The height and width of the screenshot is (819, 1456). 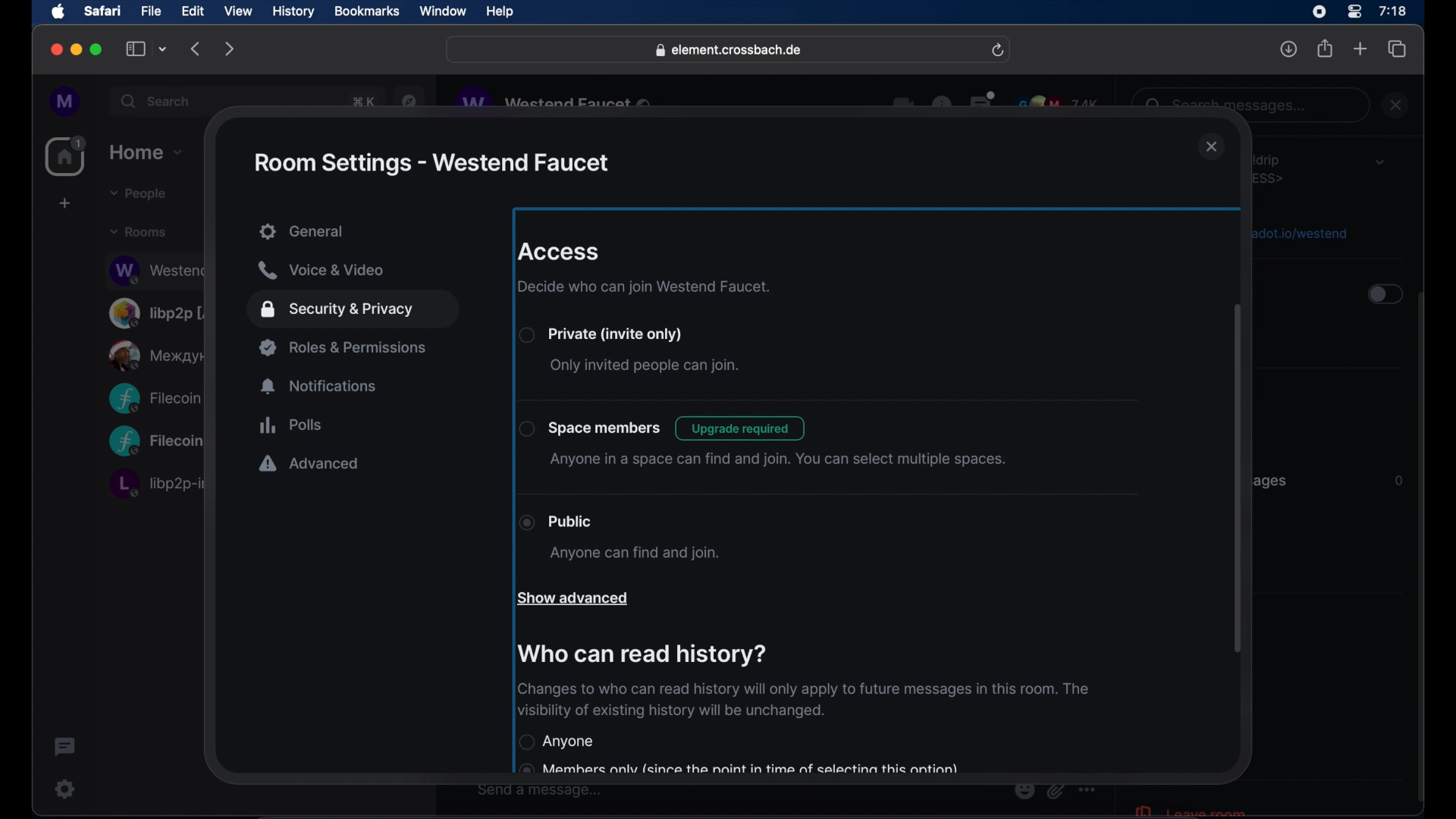 I want to click on obscure, so click(x=160, y=312).